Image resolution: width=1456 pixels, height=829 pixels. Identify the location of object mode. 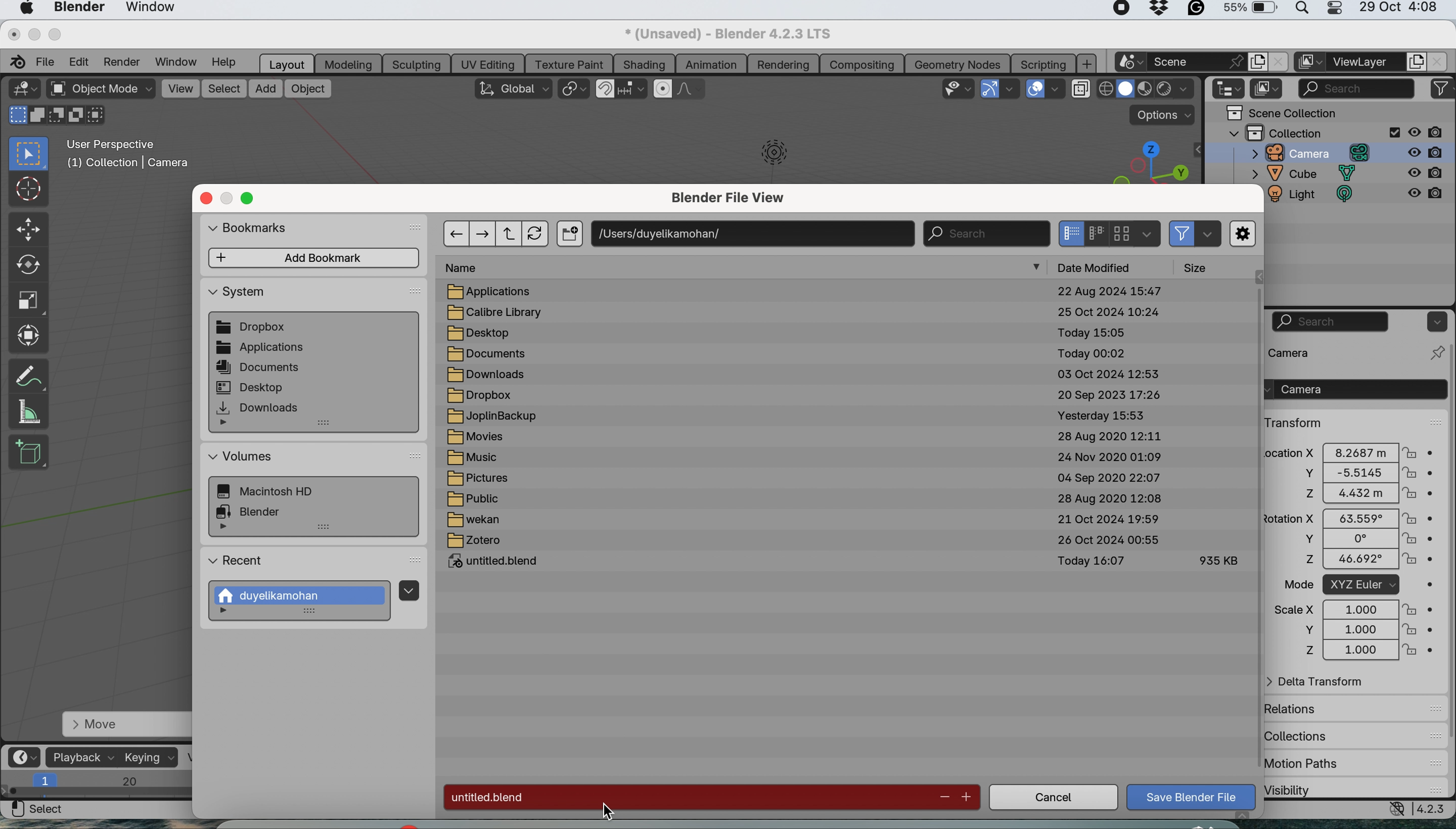
(101, 90).